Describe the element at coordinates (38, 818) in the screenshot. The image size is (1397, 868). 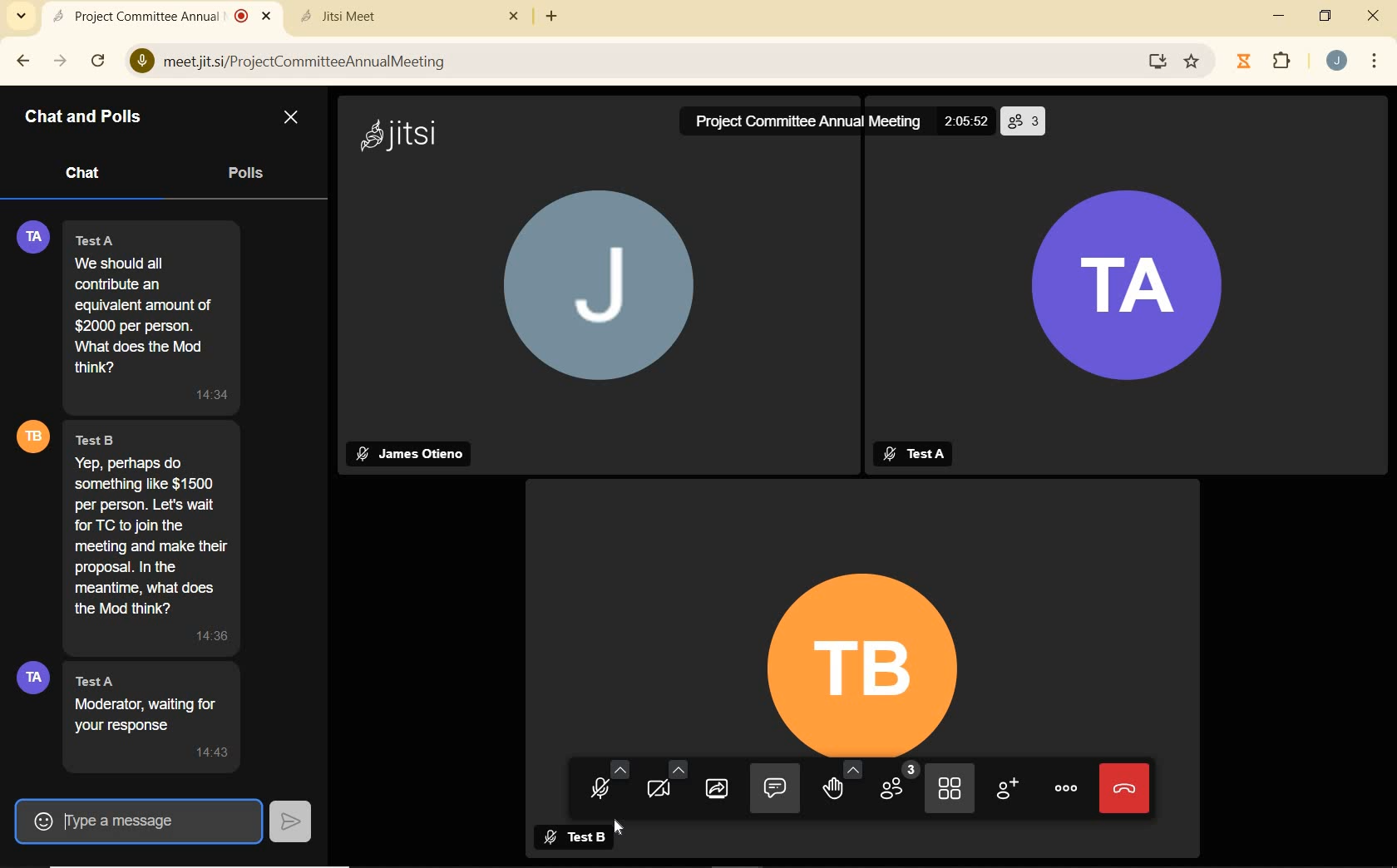
I see `emoji icon` at that location.